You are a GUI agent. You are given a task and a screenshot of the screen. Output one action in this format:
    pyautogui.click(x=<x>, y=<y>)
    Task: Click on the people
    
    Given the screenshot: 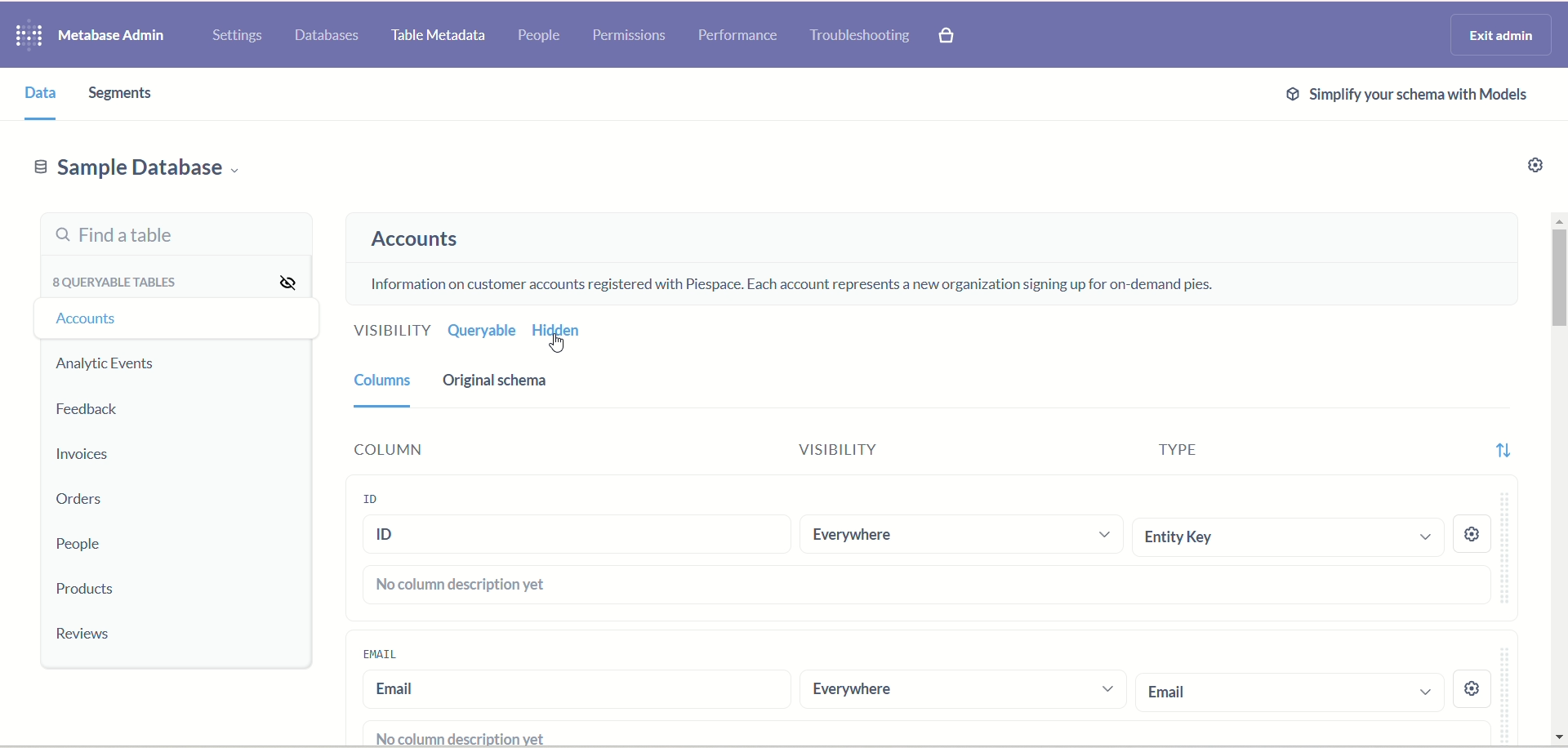 What is the action you would take?
    pyautogui.click(x=542, y=35)
    